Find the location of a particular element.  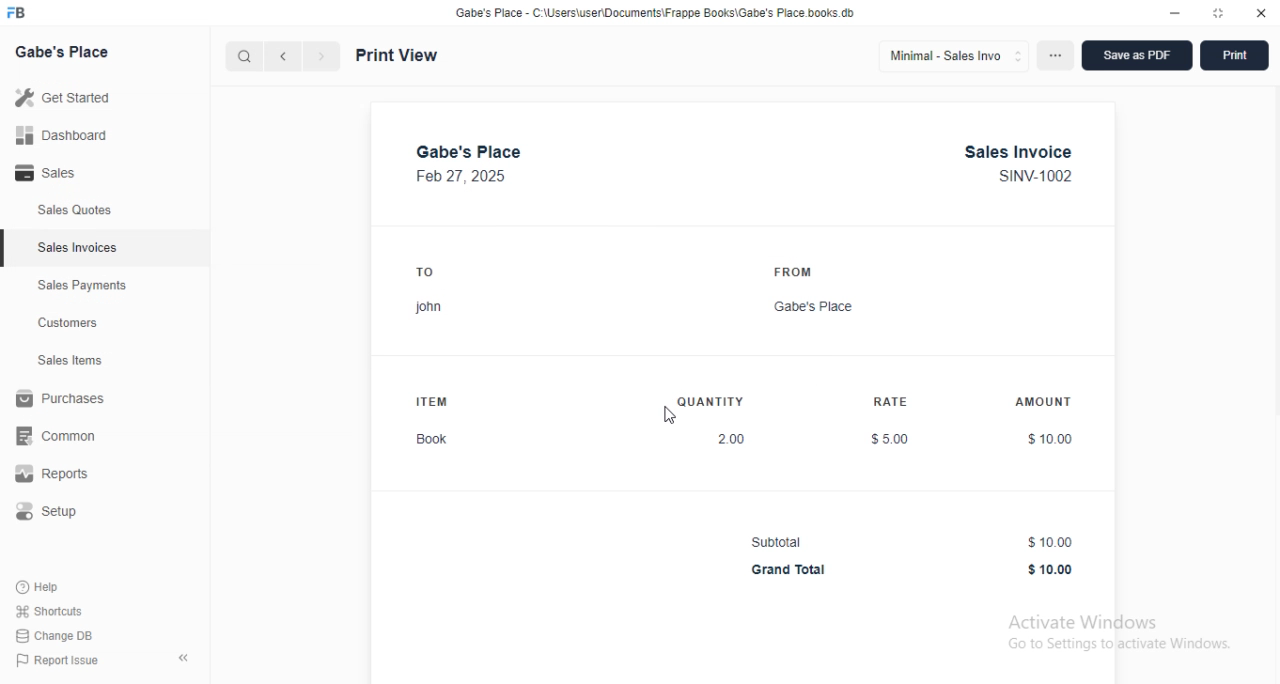

print view is located at coordinates (396, 56).